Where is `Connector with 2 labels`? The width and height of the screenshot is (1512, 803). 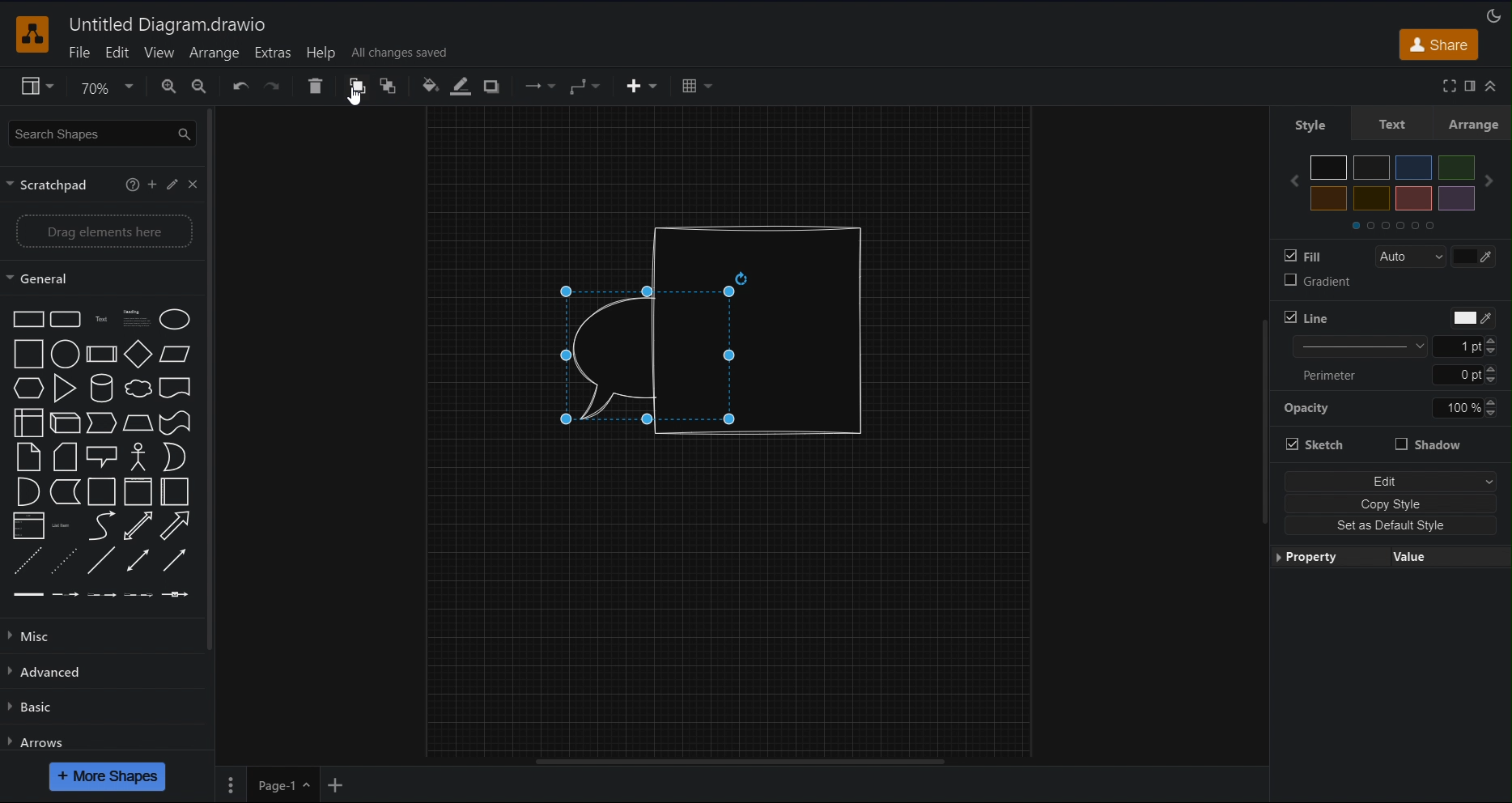 Connector with 2 labels is located at coordinates (101, 595).